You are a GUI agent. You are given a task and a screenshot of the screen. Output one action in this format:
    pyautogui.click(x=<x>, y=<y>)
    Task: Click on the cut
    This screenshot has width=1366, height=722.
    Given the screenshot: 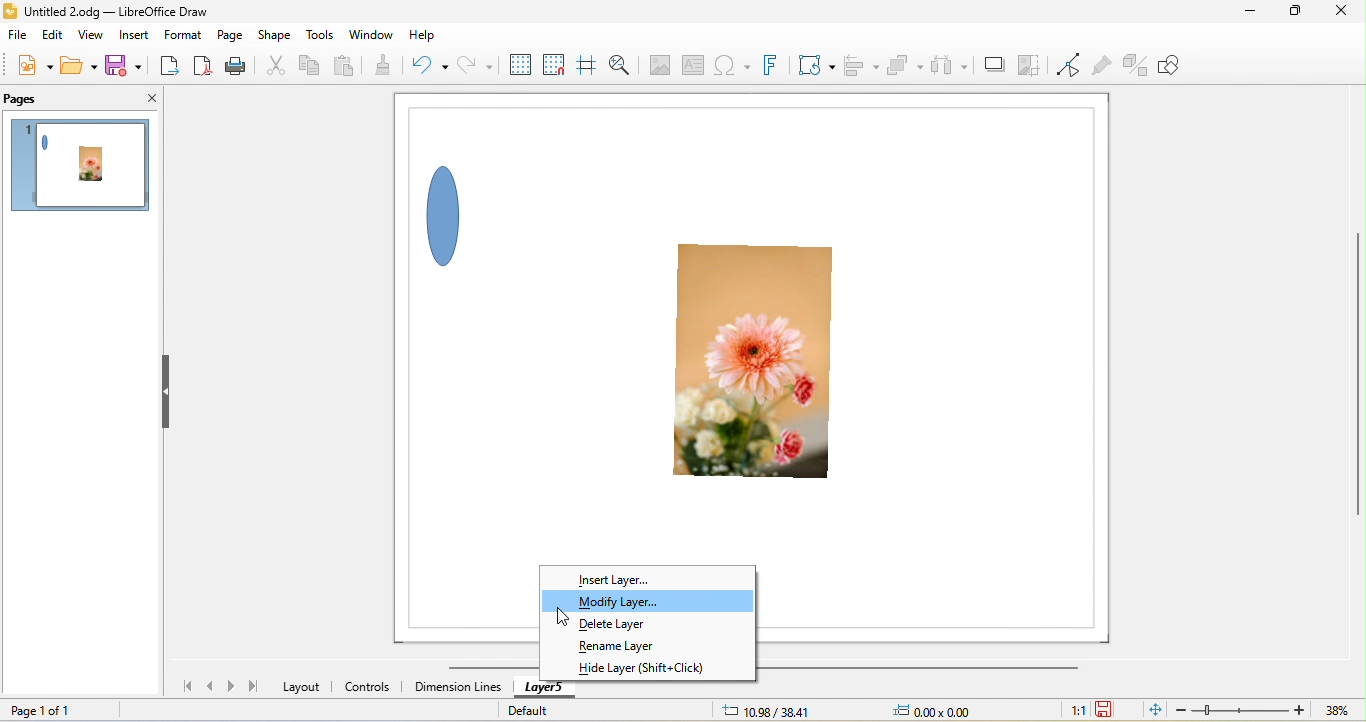 What is the action you would take?
    pyautogui.click(x=277, y=67)
    